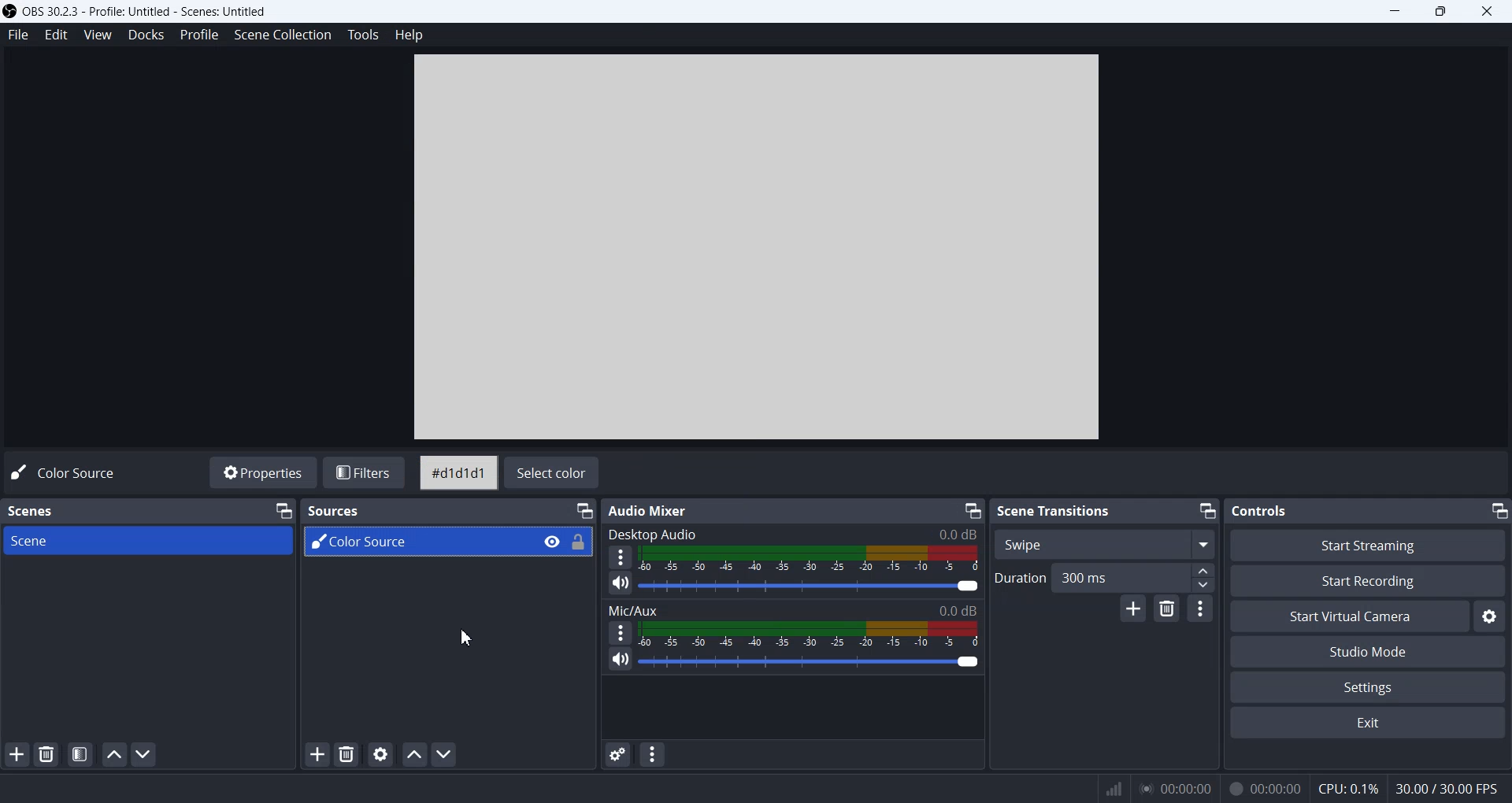 This screenshot has height=803, width=1512. What do you see at coordinates (809, 661) in the screenshot?
I see `Volume Adjuster` at bounding box center [809, 661].